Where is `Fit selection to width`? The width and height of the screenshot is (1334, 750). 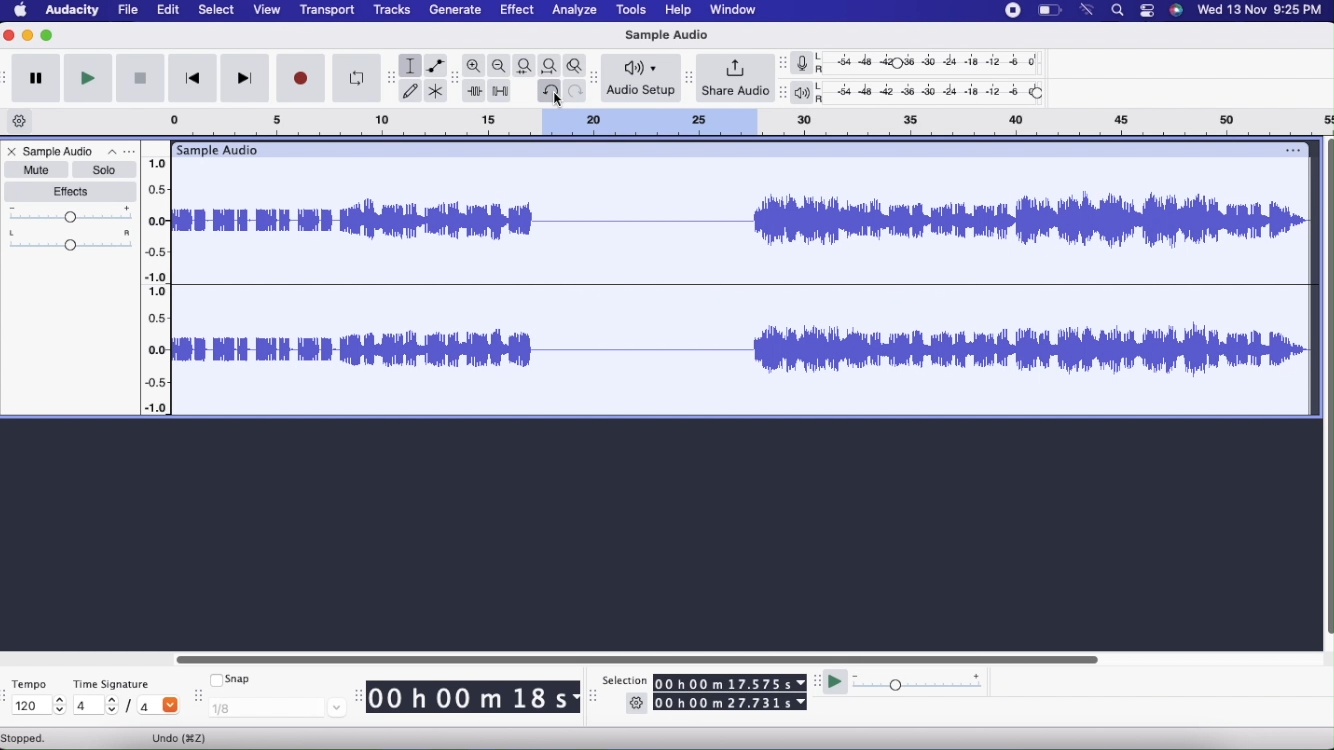
Fit selection to width is located at coordinates (523, 67).